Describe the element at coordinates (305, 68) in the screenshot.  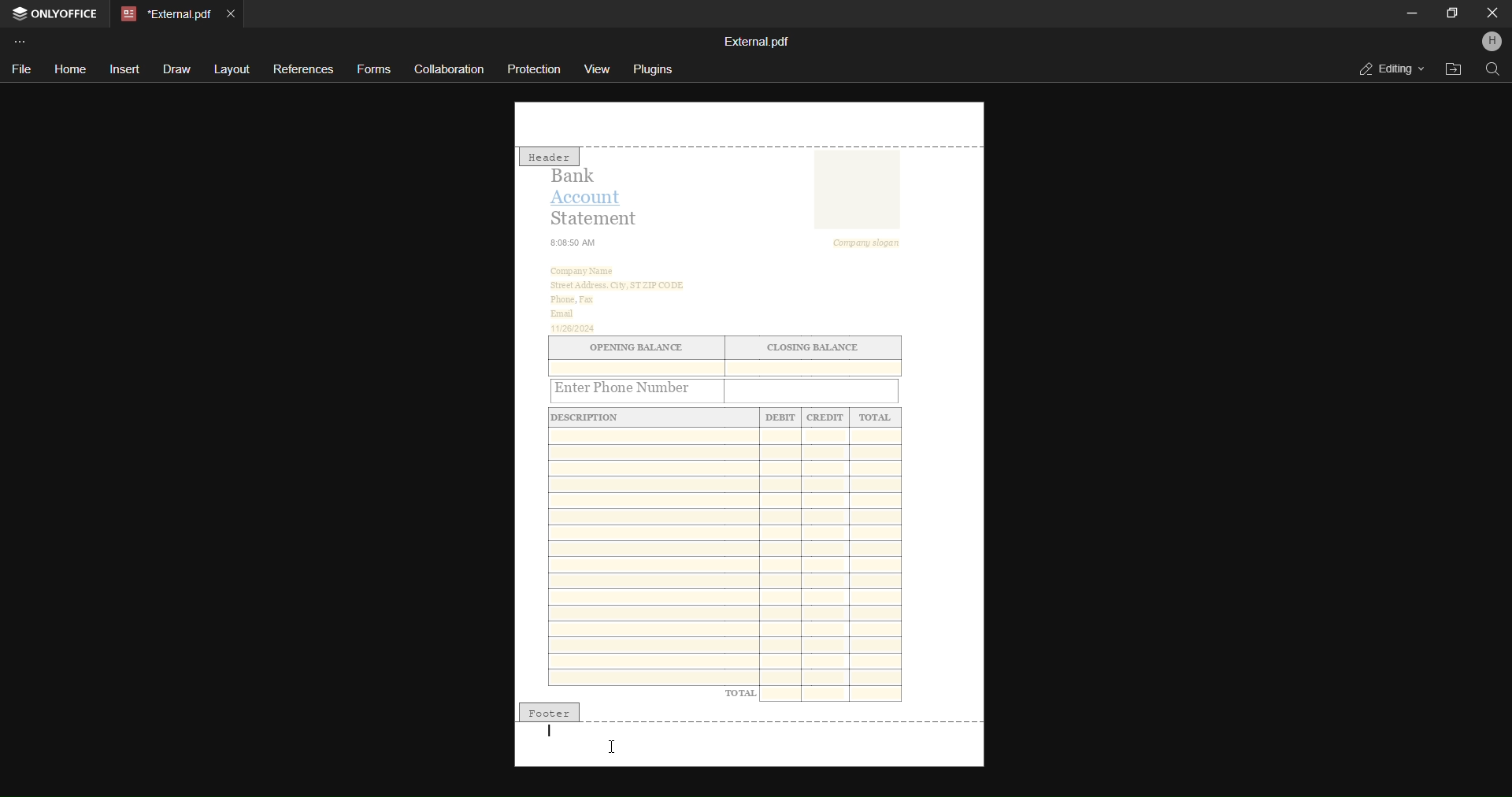
I see `references` at that location.